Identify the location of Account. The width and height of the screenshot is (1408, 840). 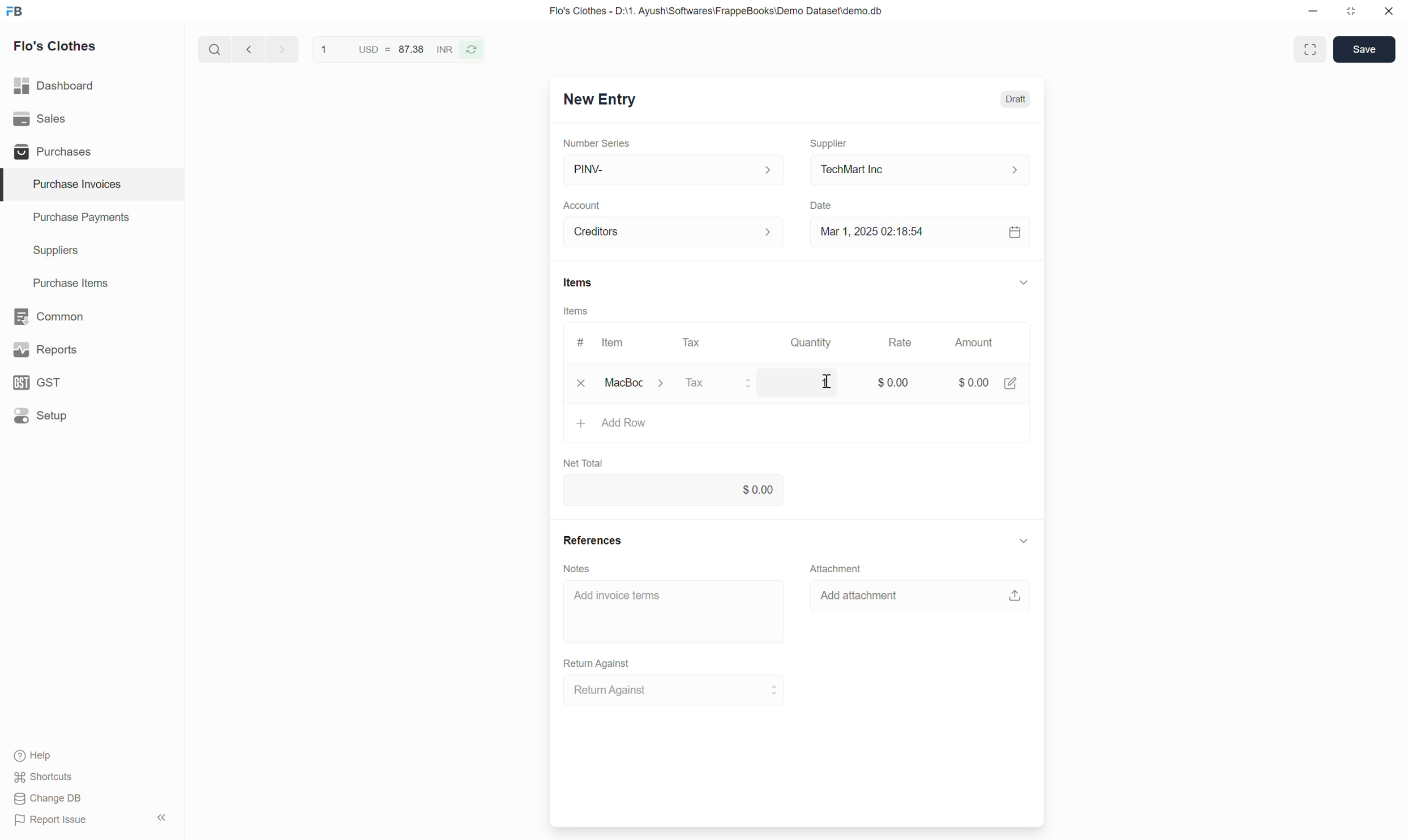
(581, 206).